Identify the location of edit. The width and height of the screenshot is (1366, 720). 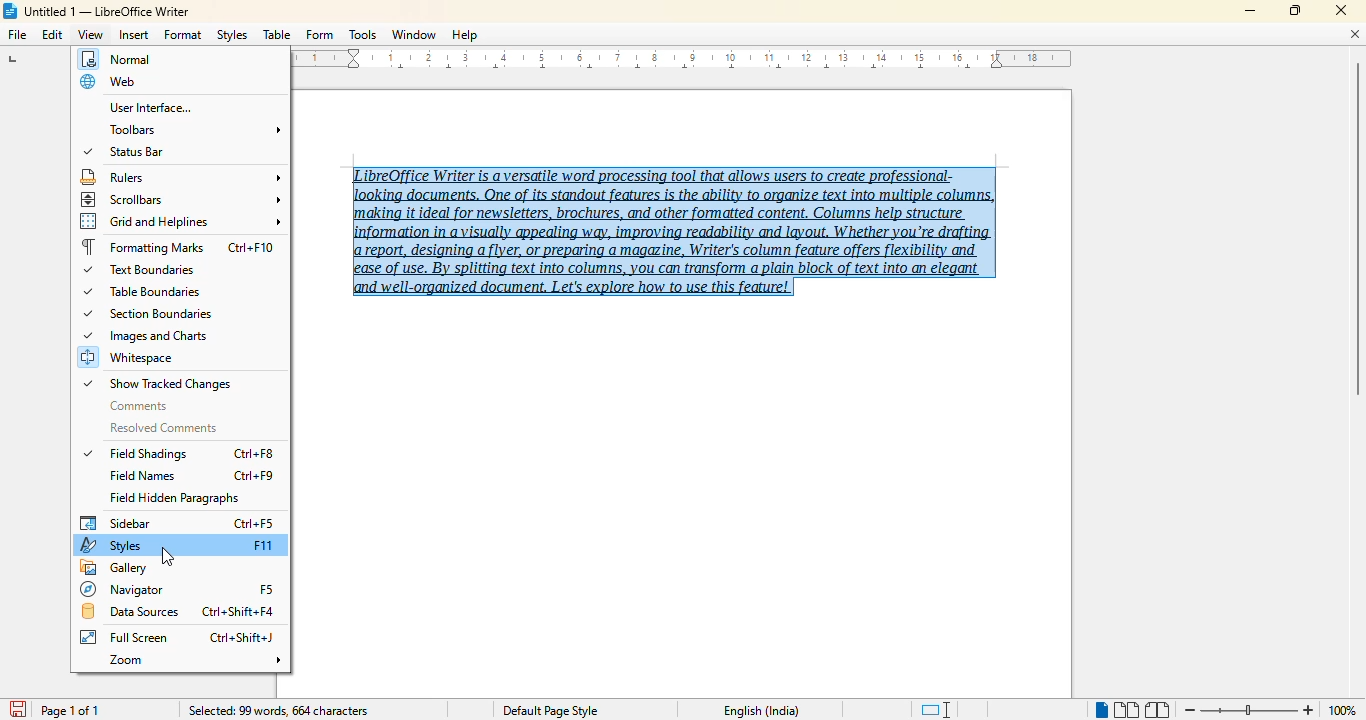
(53, 35).